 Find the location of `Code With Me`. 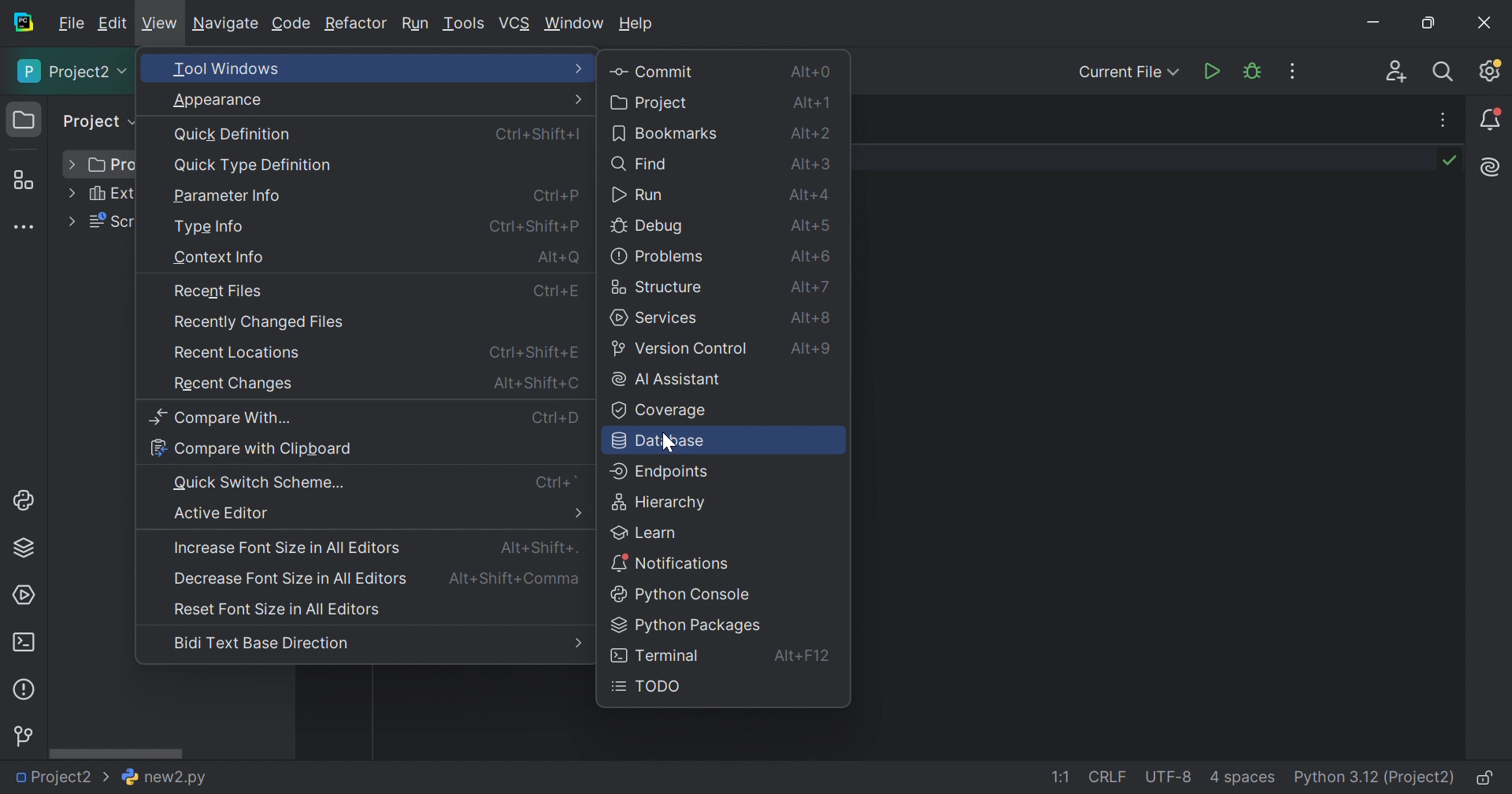

Code With Me is located at coordinates (1396, 71).